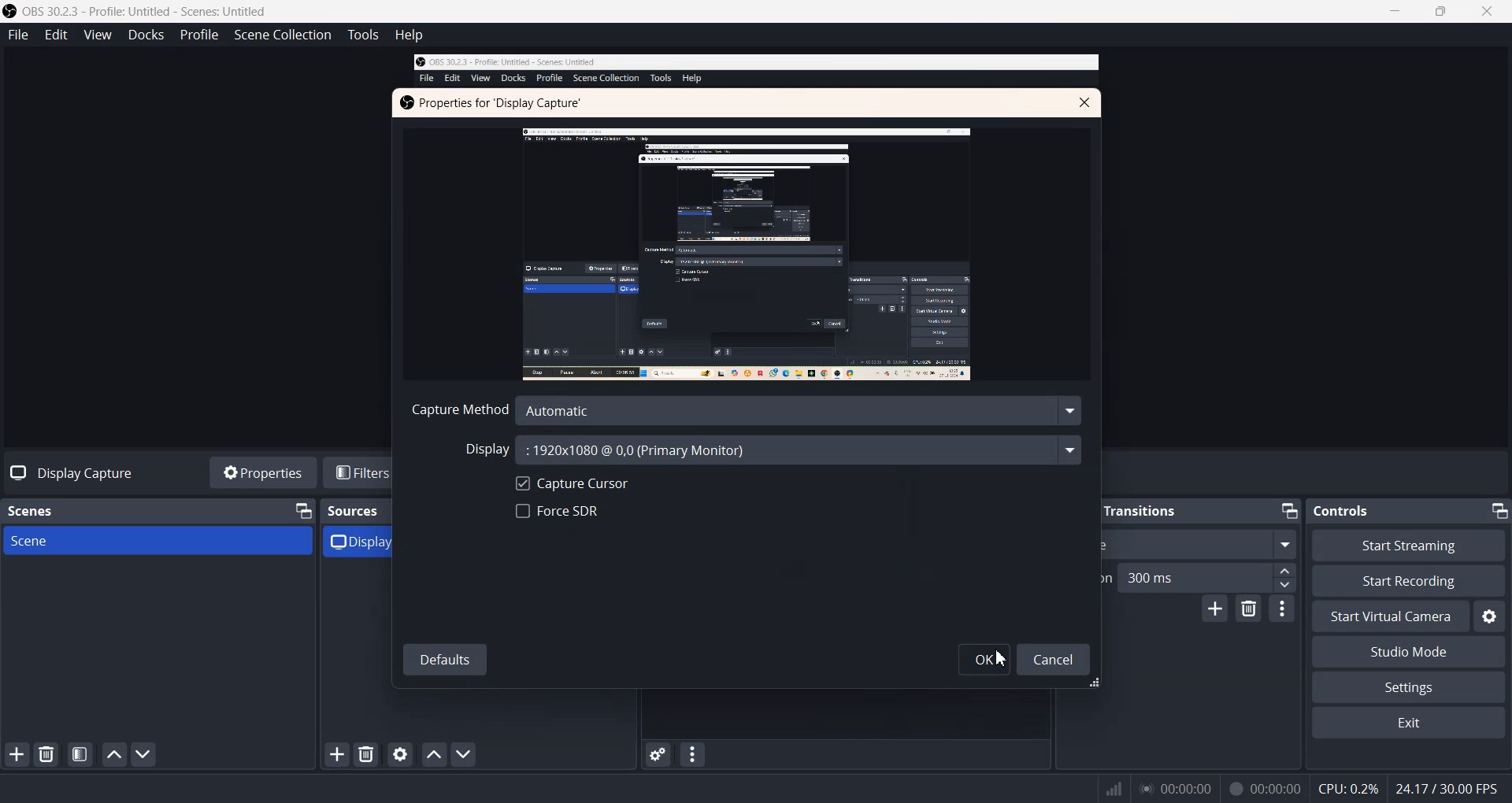  What do you see at coordinates (68, 473) in the screenshot?
I see `Text` at bounding box center [68, 473].